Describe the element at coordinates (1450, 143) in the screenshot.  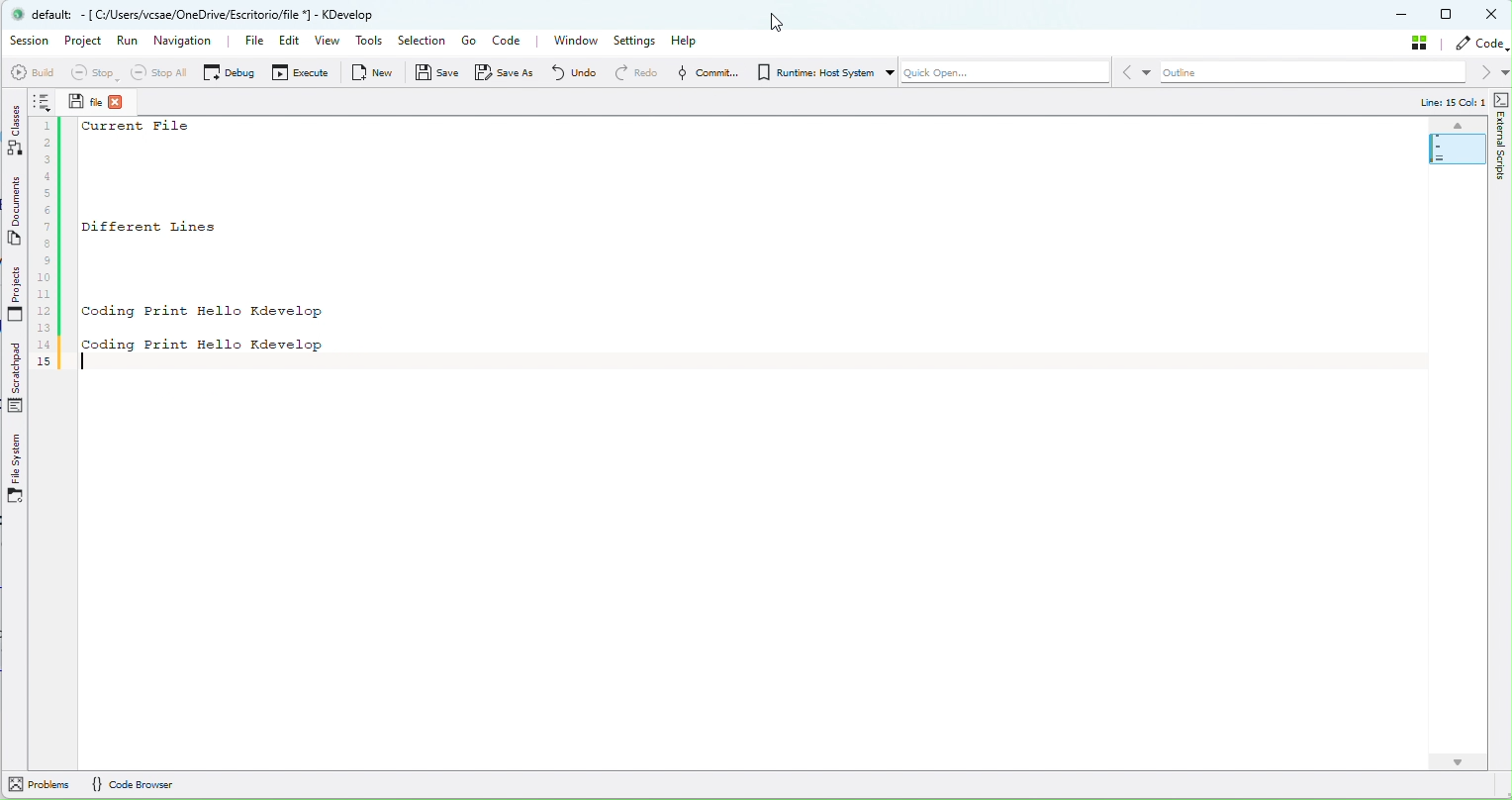
I see `Minimap` at that location.